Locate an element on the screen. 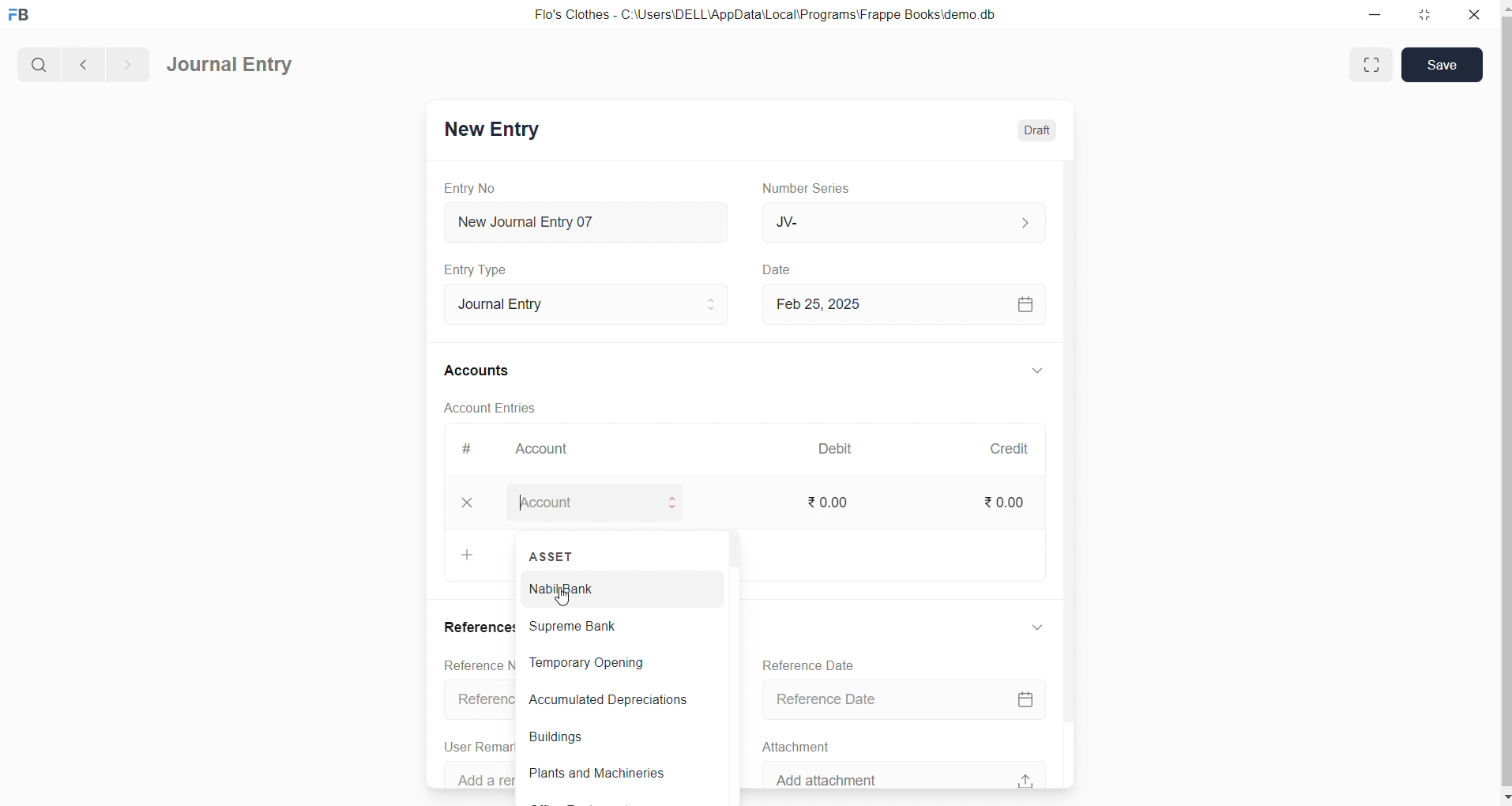 This screenshot has height=806, width=1512. Add attachment is located at coordinates (912, 774).